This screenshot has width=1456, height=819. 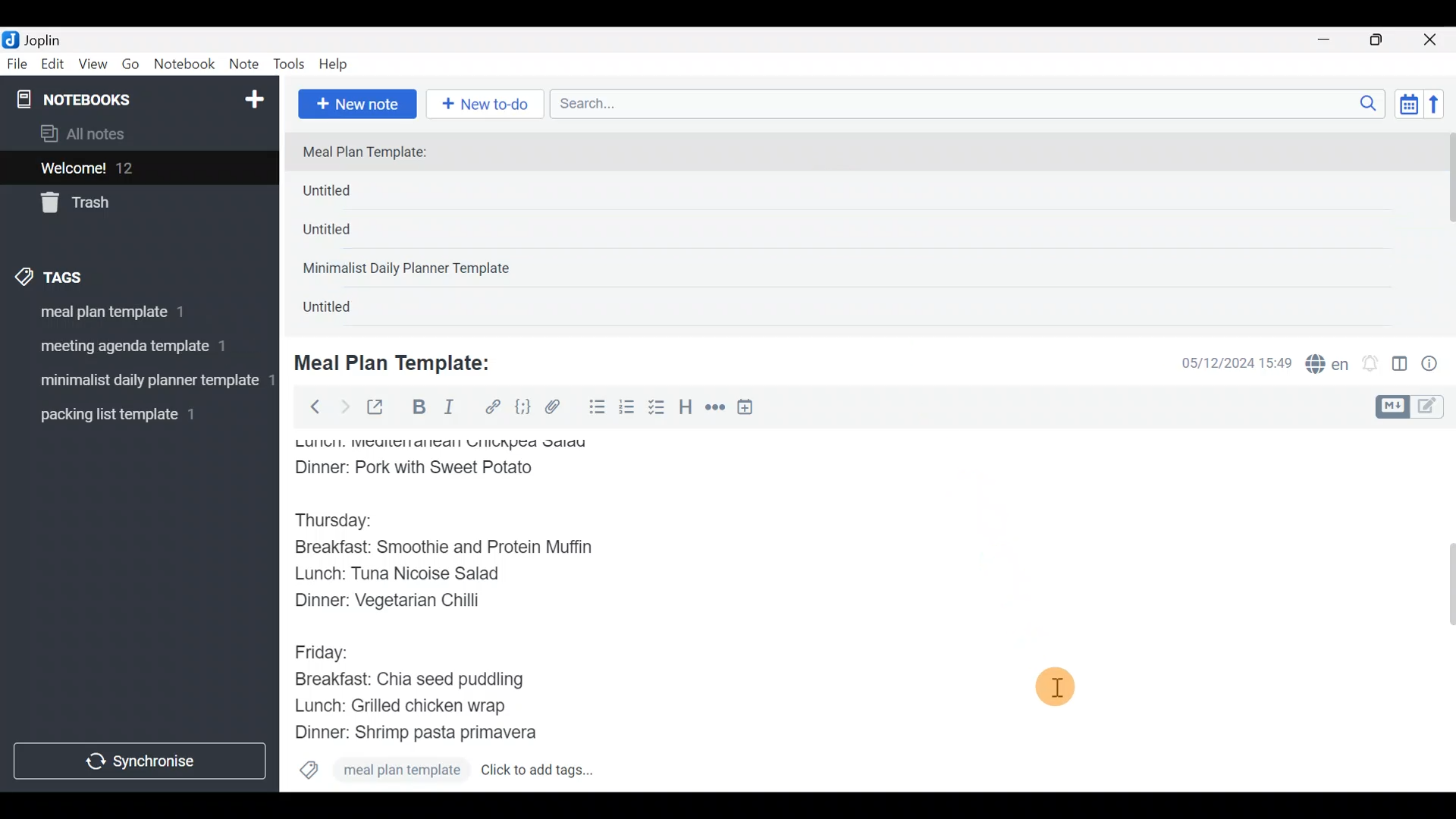 What do you see at coordinates (521, 406) in the screenshot?
I see `Code` at bounding box center [521, 406].